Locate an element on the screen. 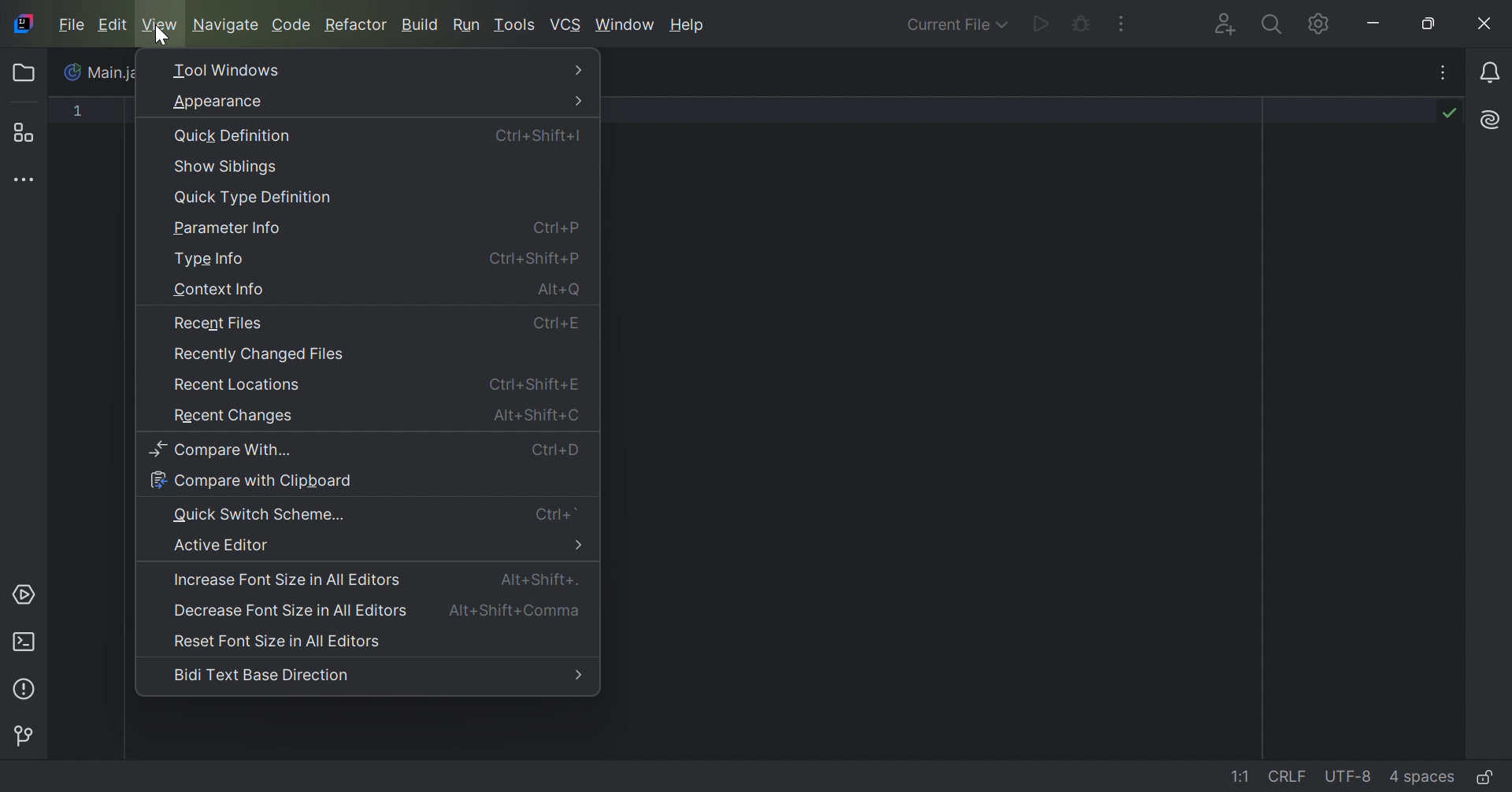 This screenshot has width=1512, height=792. Ctrl+Shift+I is located at coordinates (537, 136).